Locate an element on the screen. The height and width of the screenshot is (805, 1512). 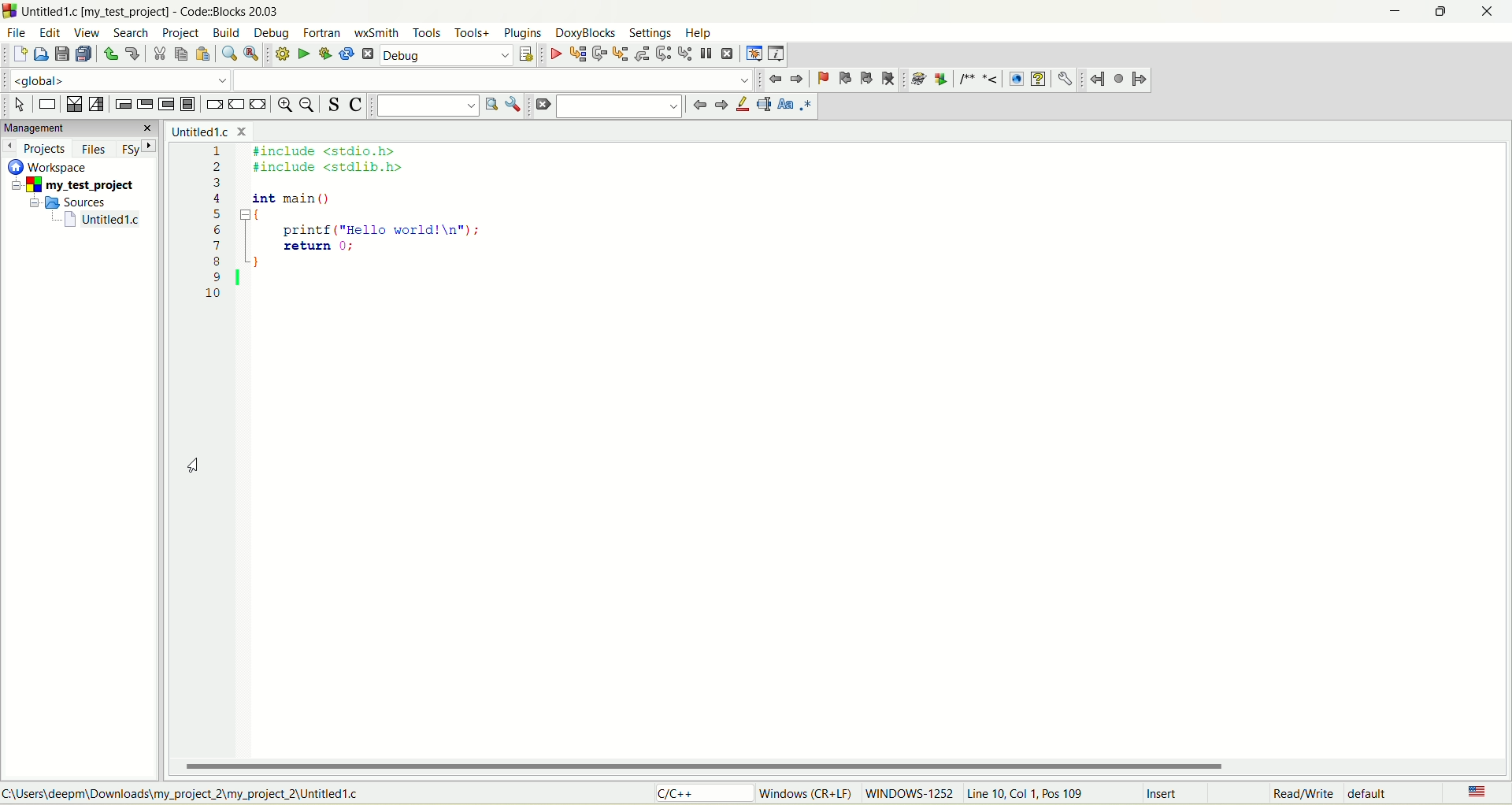
clear bookmark is located at coordinates (890, 78).